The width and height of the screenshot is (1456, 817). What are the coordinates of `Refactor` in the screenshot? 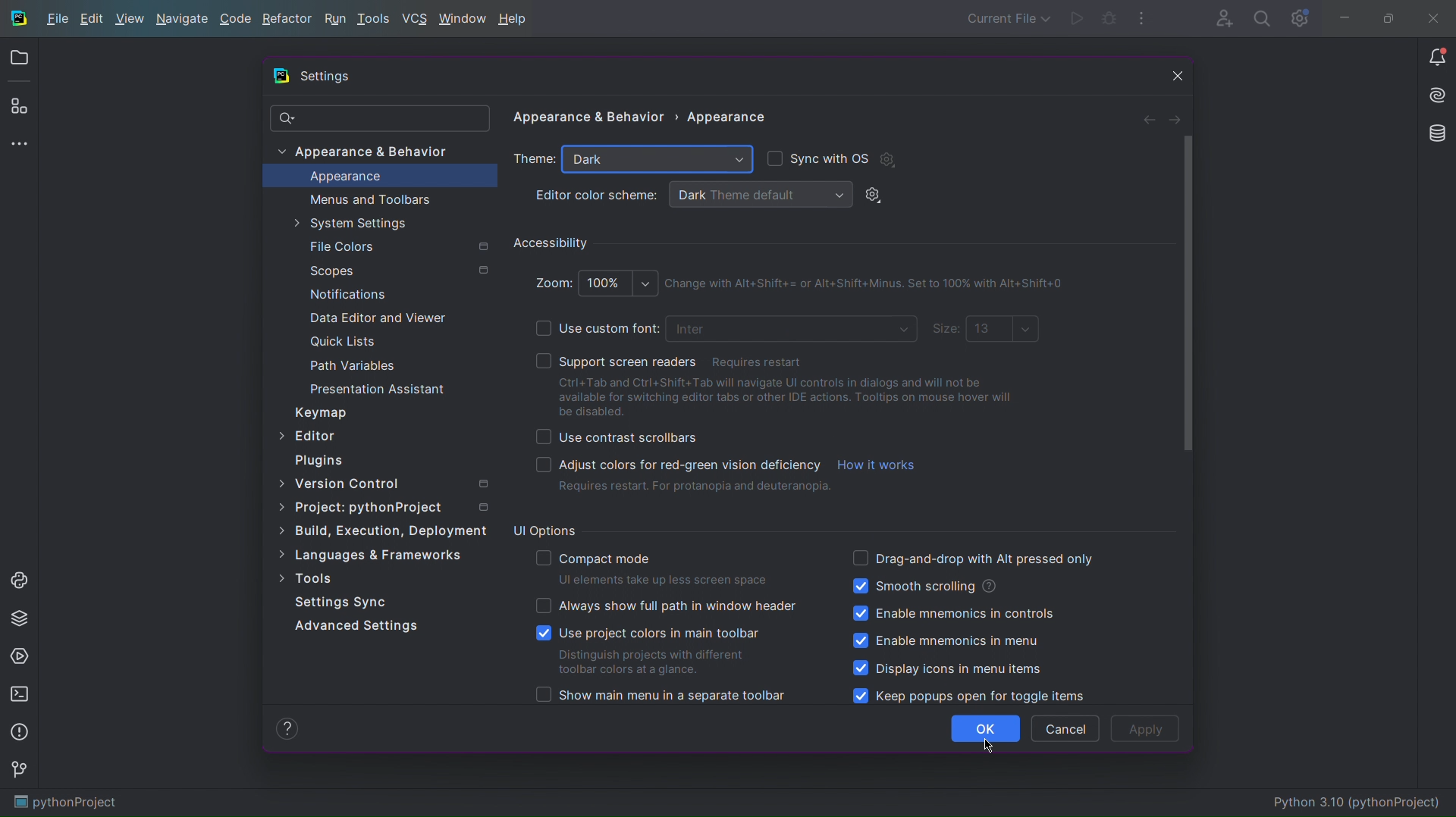 It's located at (287, 18).